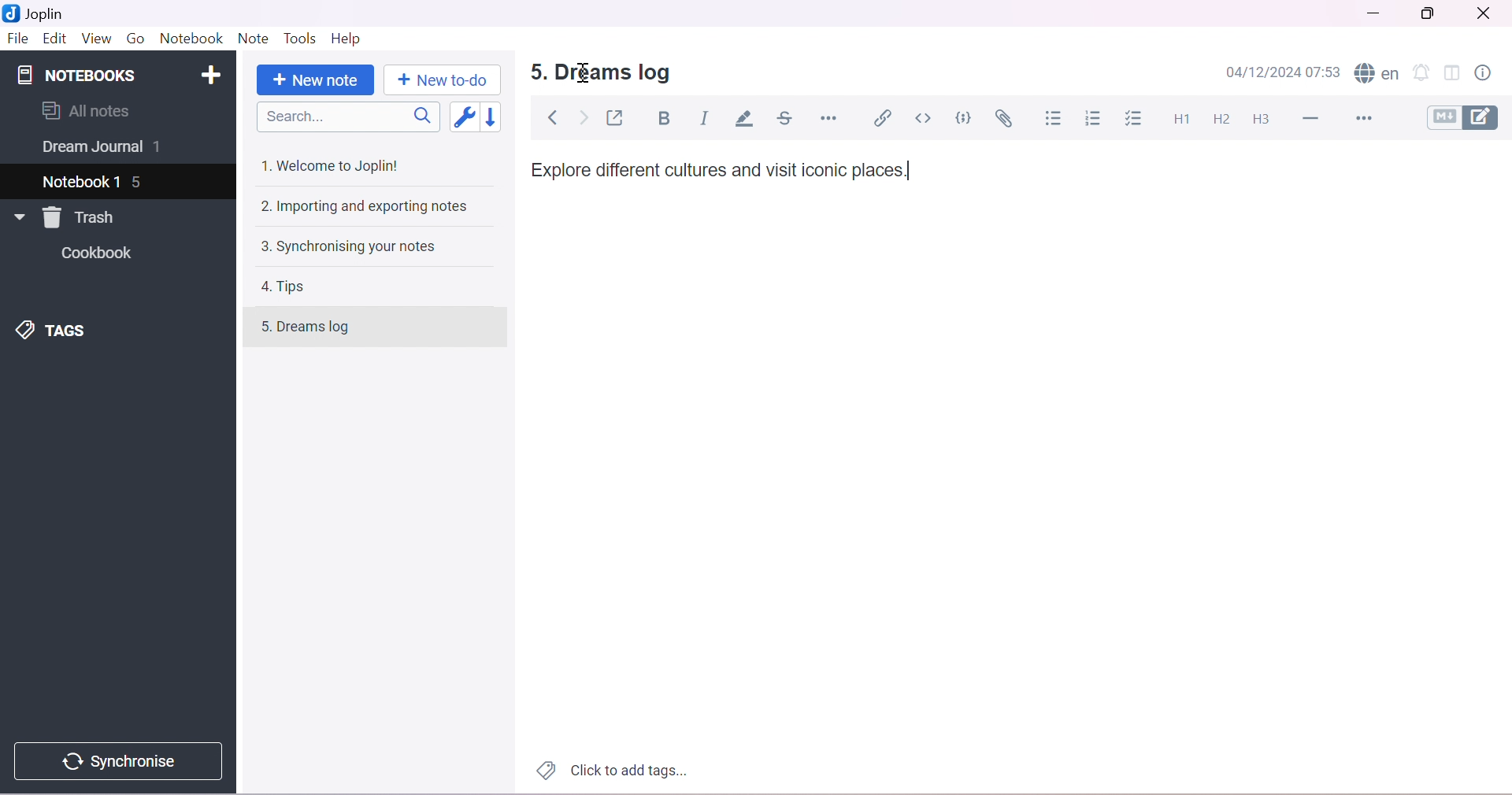 Image resolution: width=1512 pixels, height=795 pixels. I want to click on , so click(530, 72).